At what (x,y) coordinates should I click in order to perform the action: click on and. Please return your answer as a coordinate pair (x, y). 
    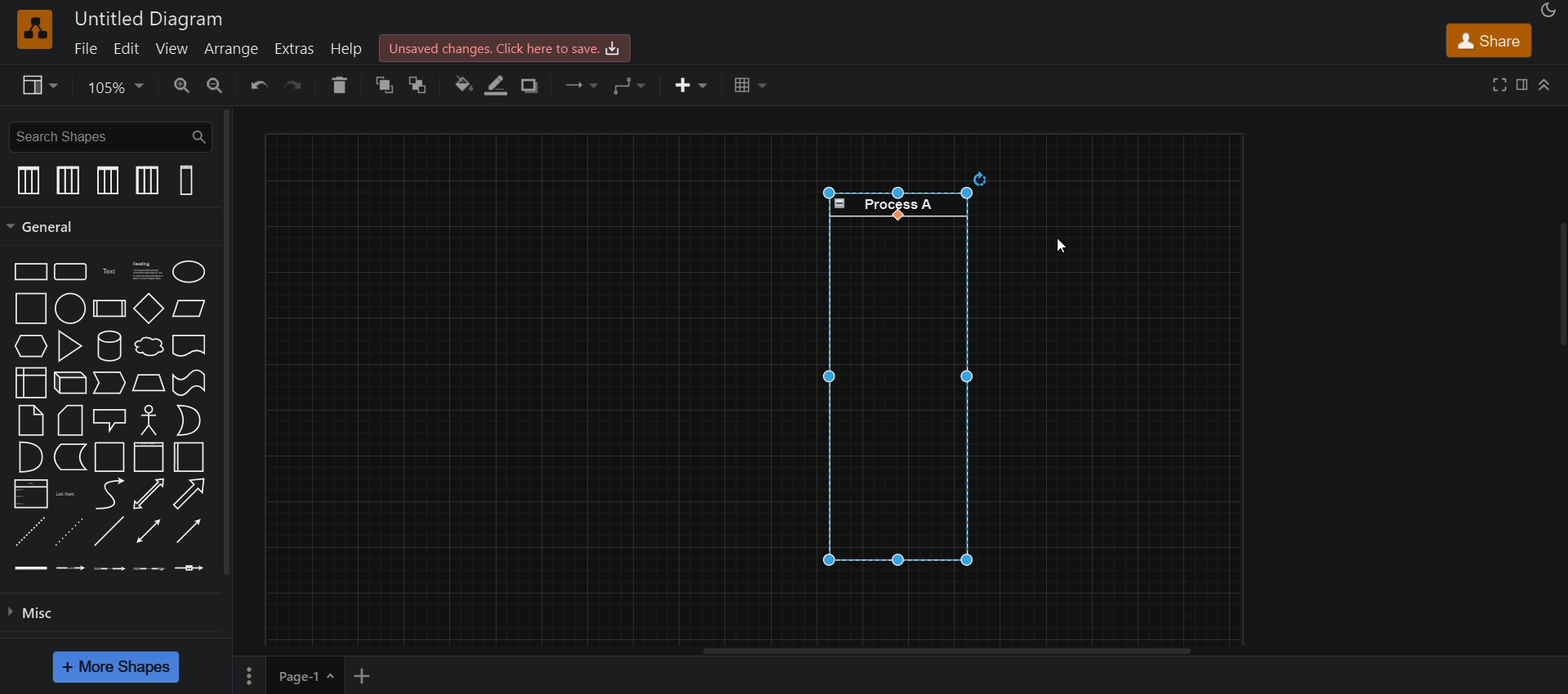
    Looking at the image, I should click on (30, 456).